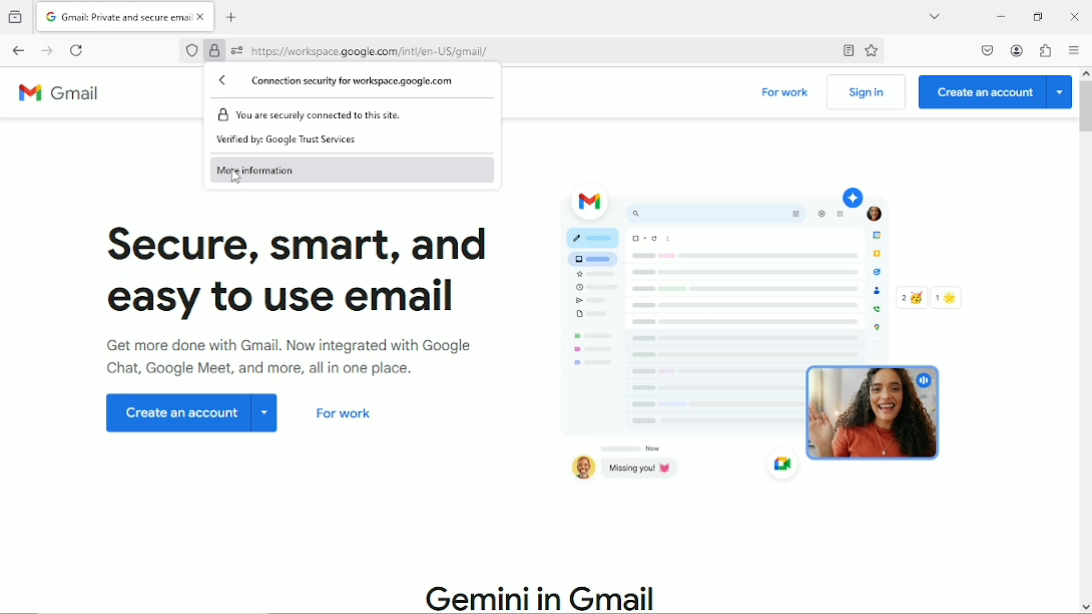 This screenshot has width=1092, height=614. I want to click on No trackers known to firefox were detected on this page, so click(191, 49).